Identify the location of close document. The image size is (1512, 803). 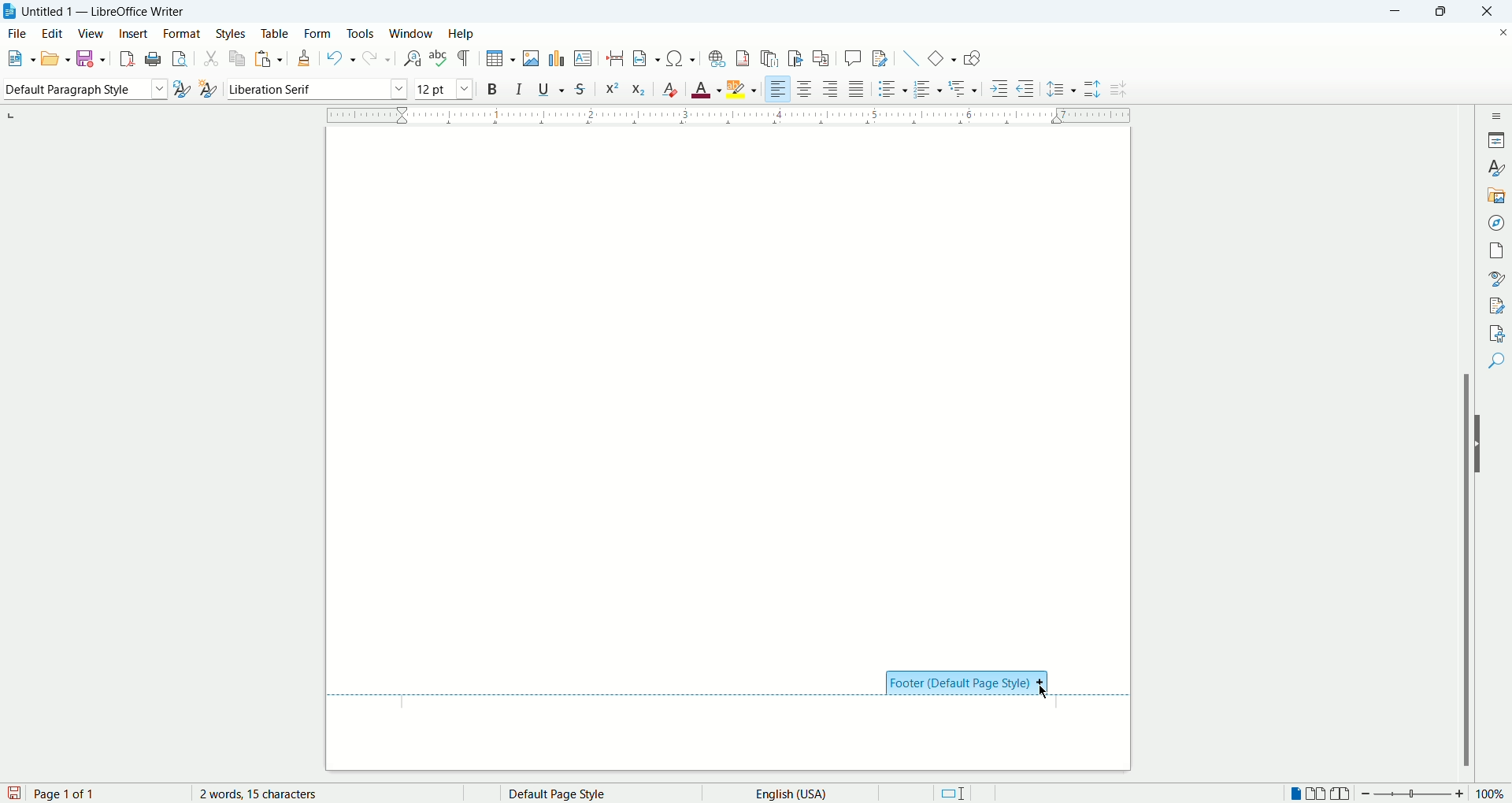
(1499, 31).